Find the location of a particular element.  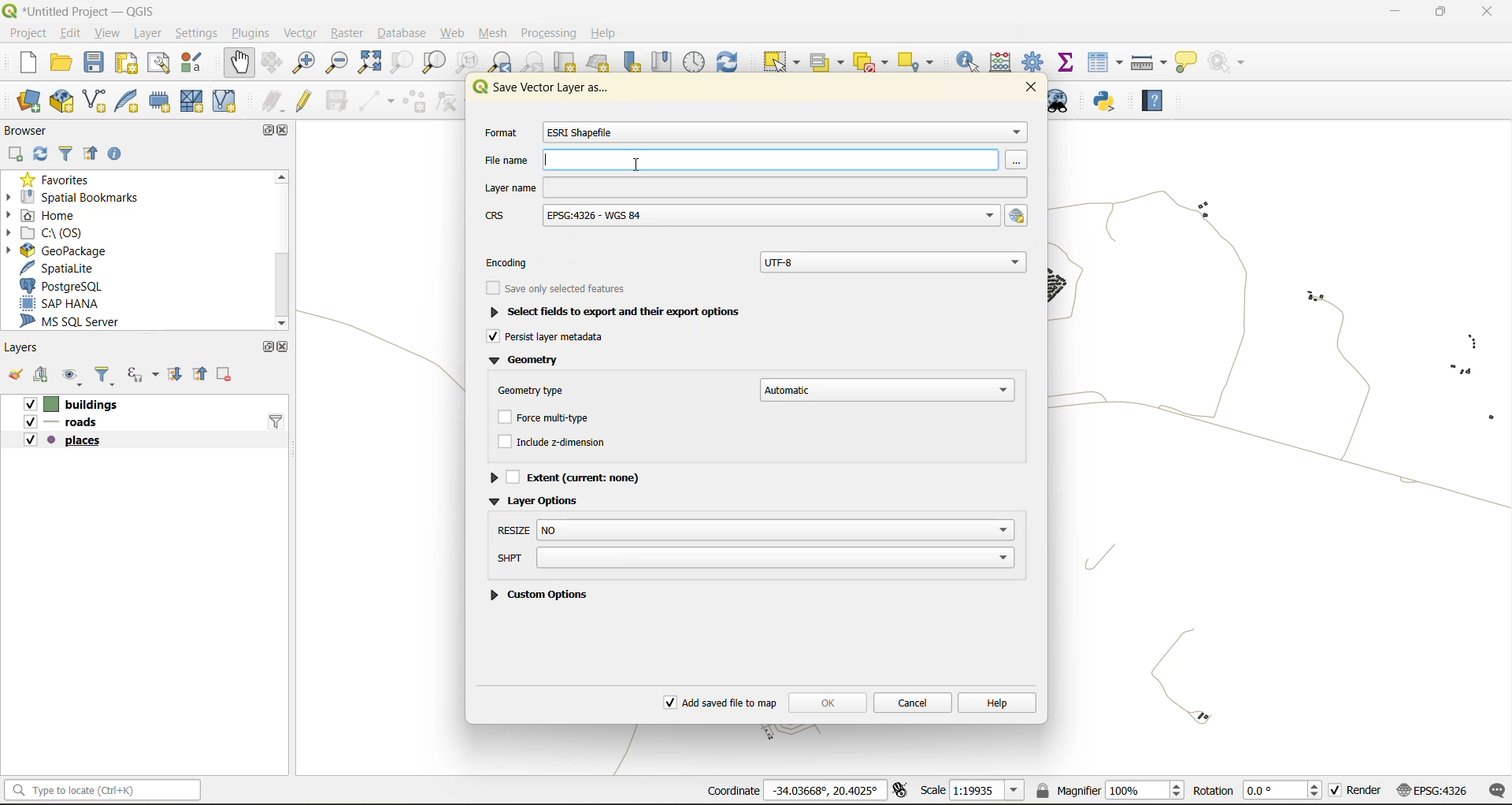

attributes table is located at coordinates (1109, 63).